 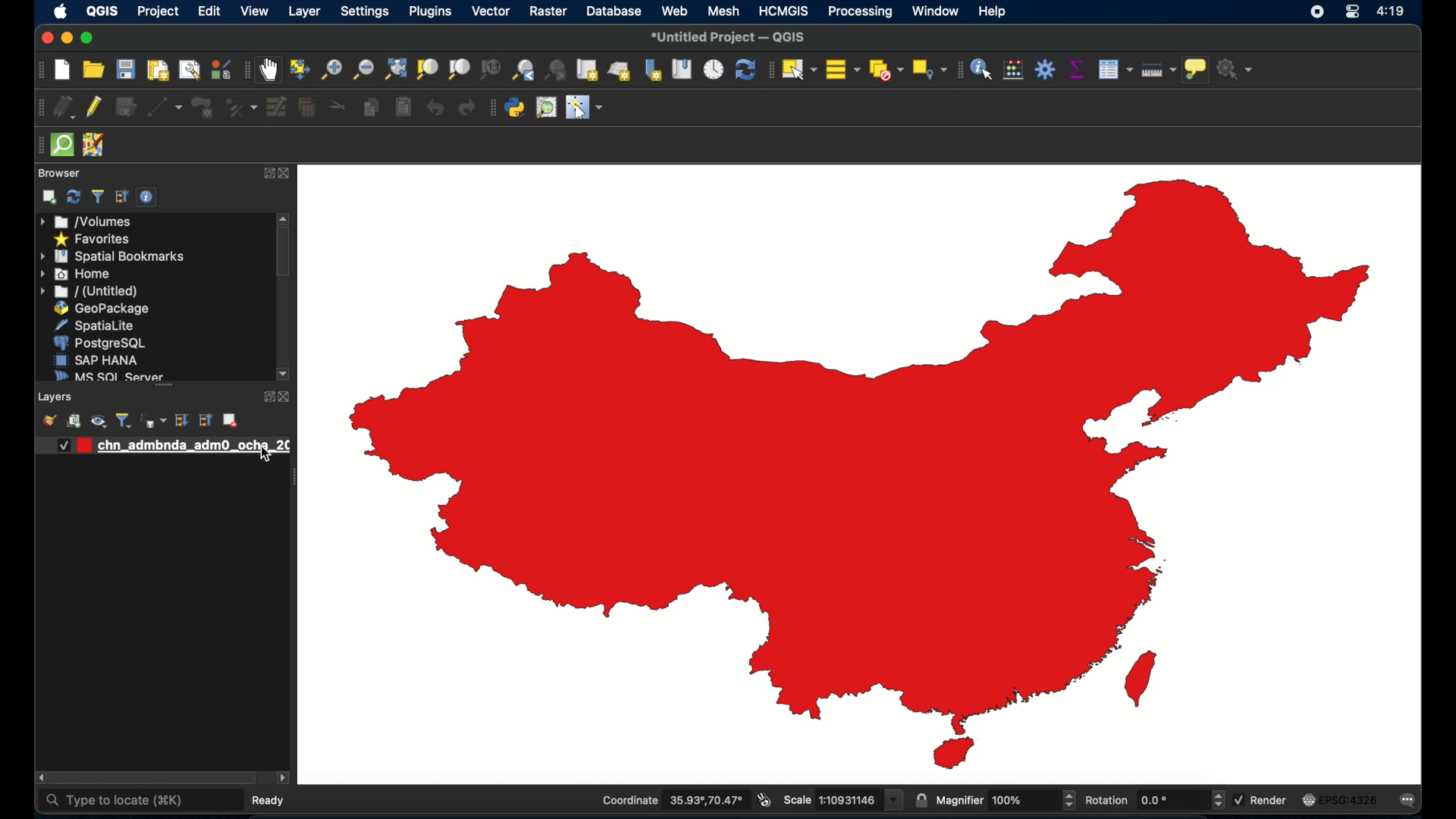 I want to click on zoom out, so click(x=361, y=70).